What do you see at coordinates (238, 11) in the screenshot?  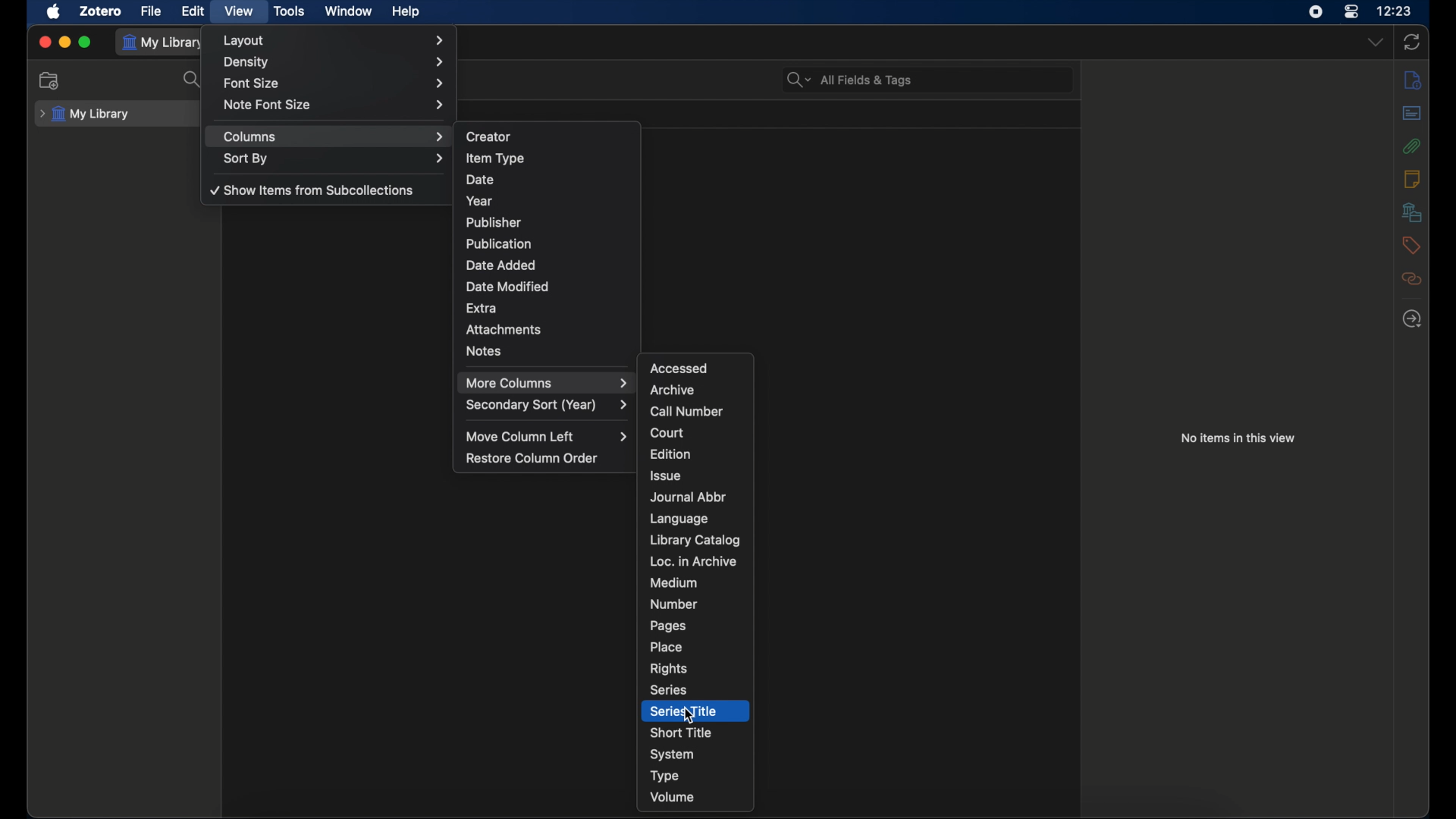 I see `view` at bounding box center [238, 11].